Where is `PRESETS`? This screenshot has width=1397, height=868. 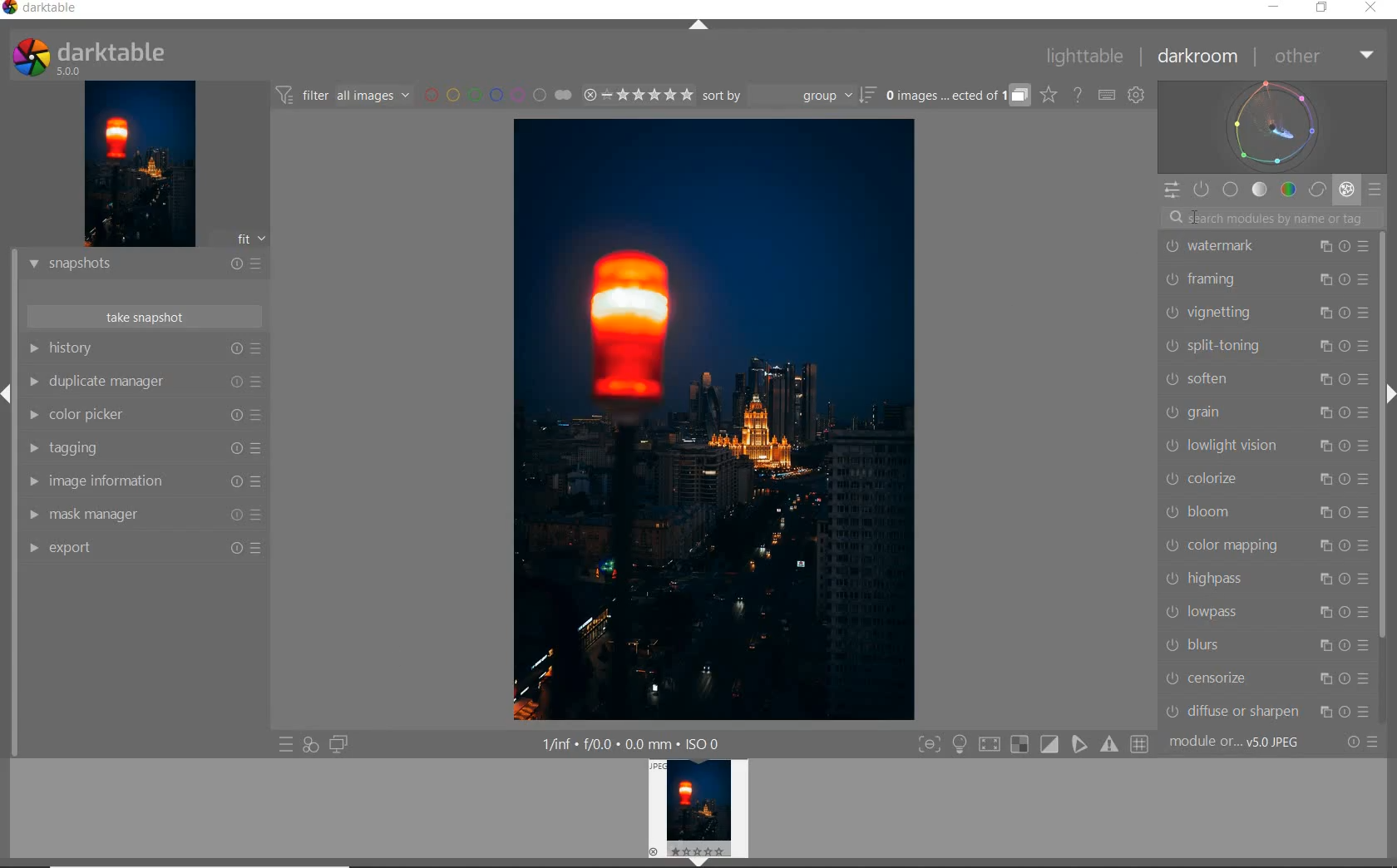
PRESETS is located at coordinates (1376, 191).